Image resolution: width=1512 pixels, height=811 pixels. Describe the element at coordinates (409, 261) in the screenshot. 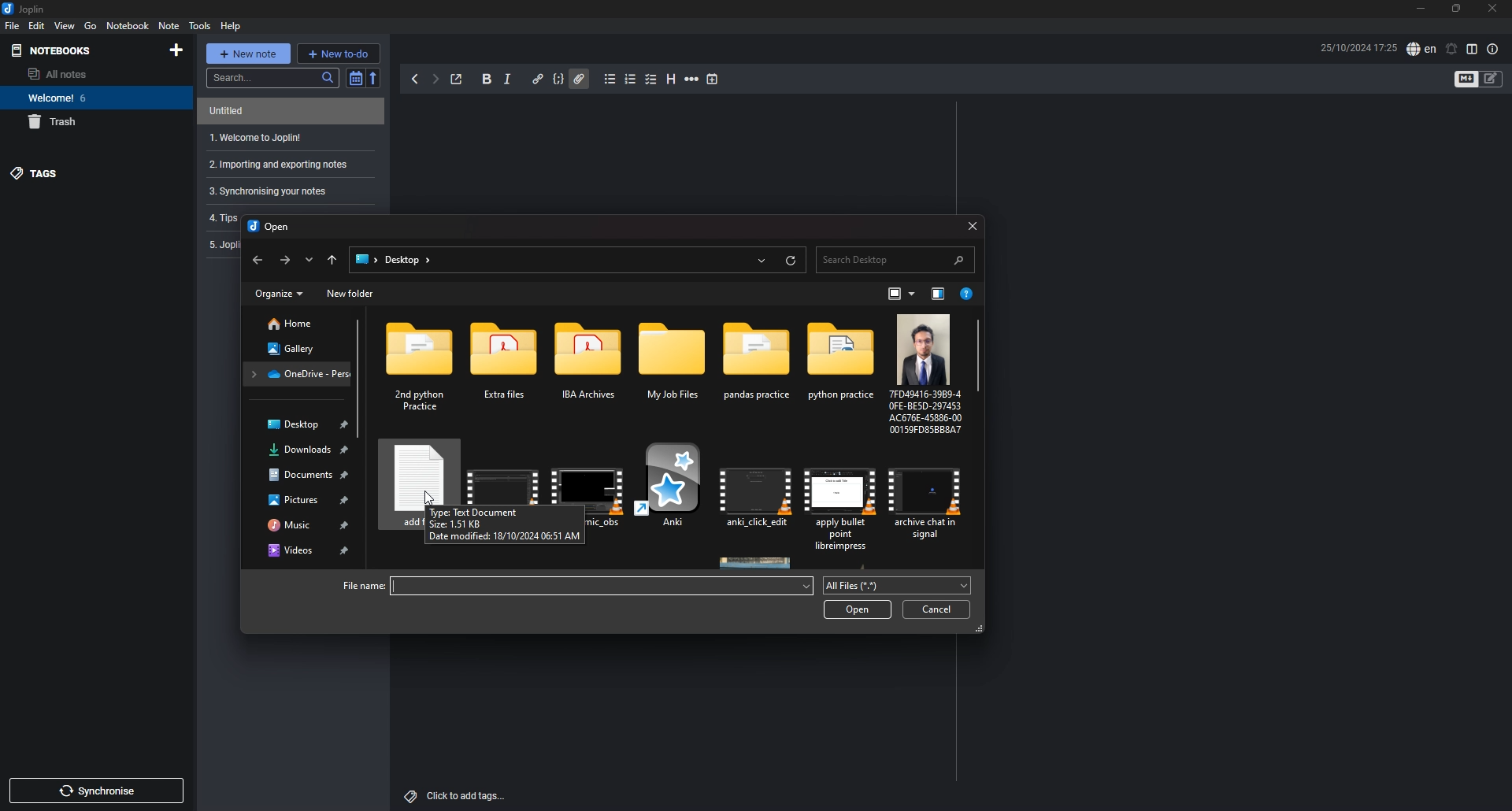

I see `desktop` at that location.